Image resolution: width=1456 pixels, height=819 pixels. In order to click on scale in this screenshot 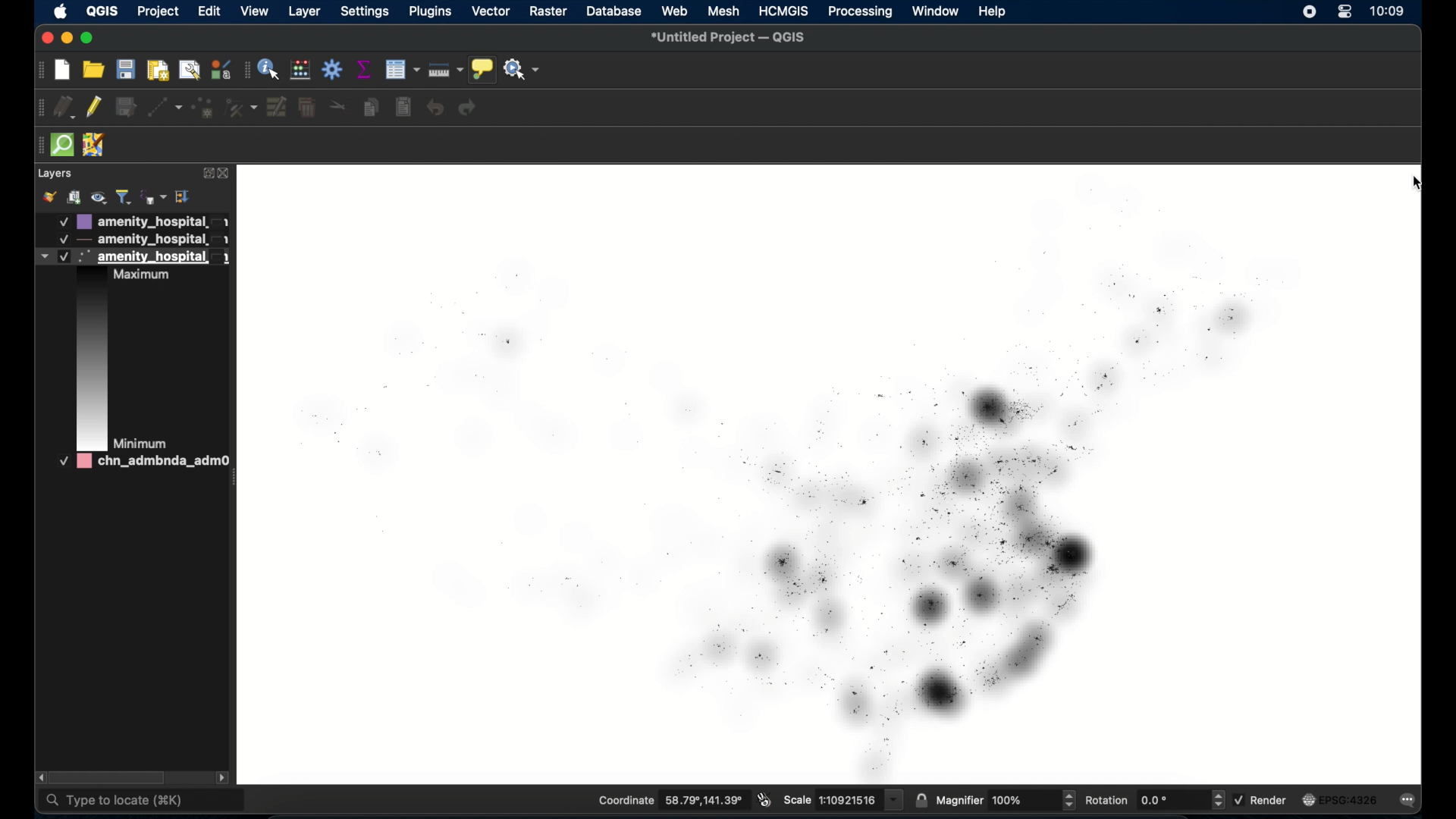, I will do `click(841, 801)`.